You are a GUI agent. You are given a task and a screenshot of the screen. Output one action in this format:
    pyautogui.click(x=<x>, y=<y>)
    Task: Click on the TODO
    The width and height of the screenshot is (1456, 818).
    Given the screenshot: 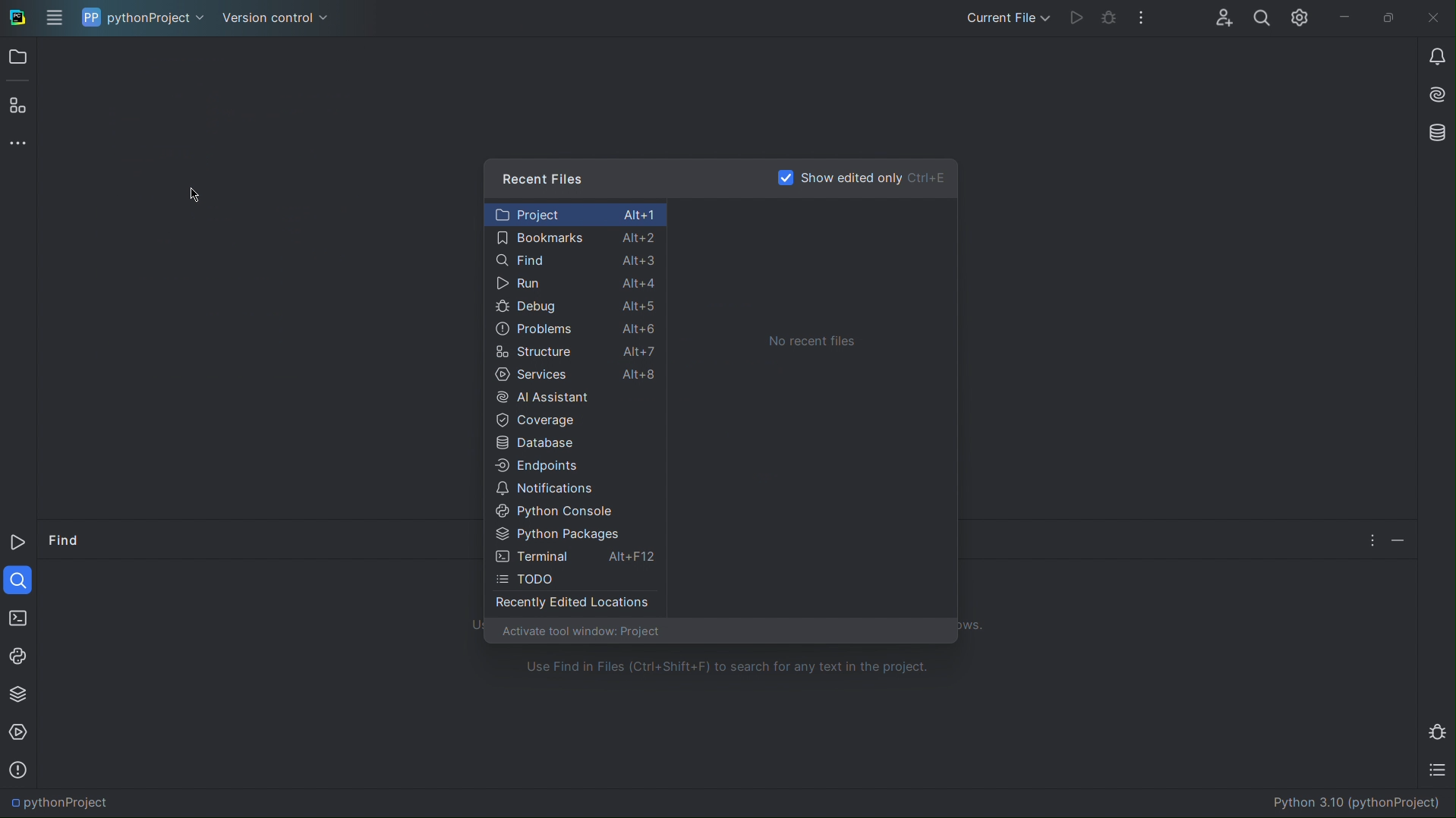 What is the action you would take?
    pyautogui.click(x=1441, y=772)
    